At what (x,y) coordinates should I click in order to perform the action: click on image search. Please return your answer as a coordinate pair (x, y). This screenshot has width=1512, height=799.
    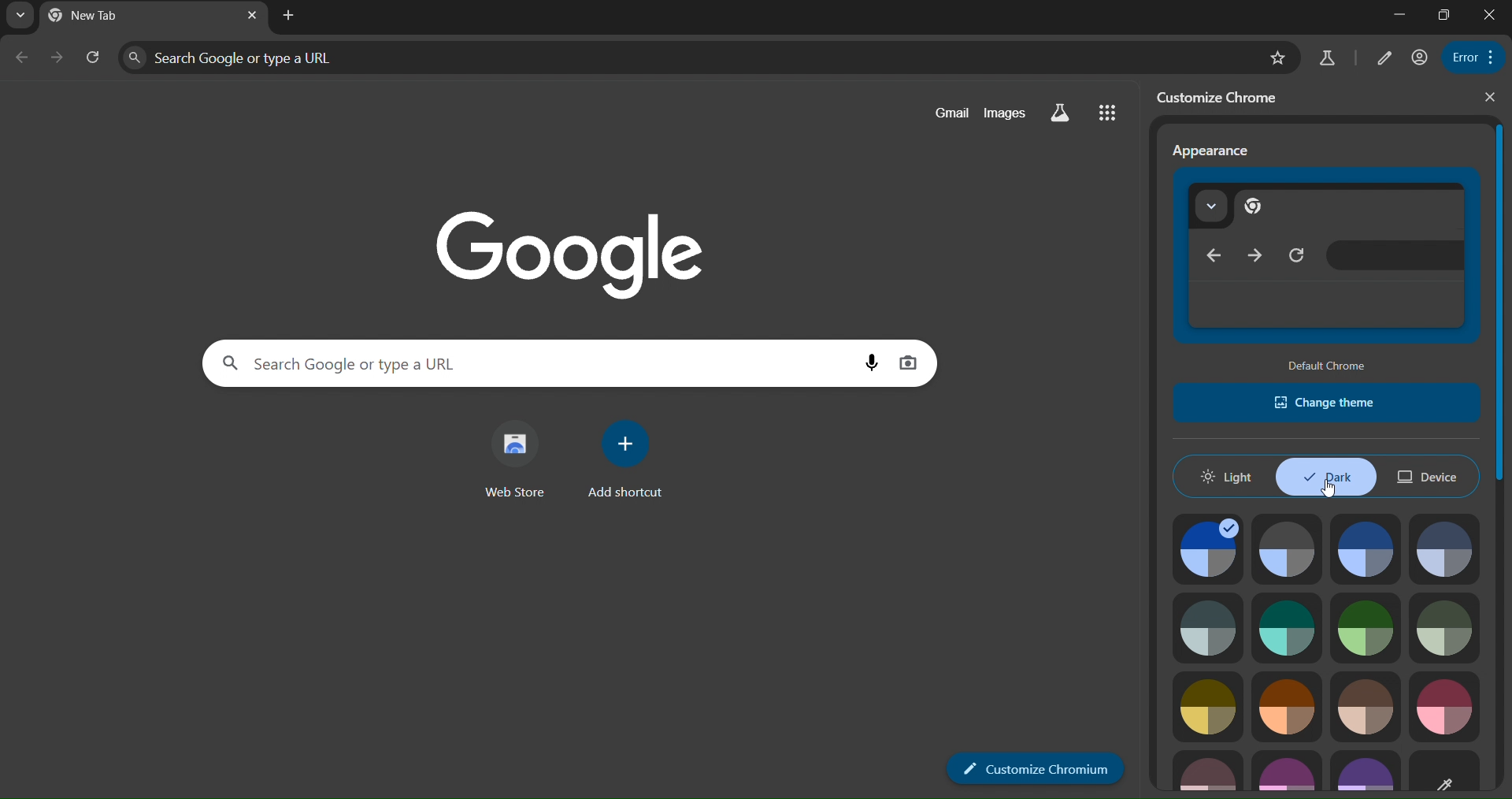
    Looking at the image, I should click on (912, 361).